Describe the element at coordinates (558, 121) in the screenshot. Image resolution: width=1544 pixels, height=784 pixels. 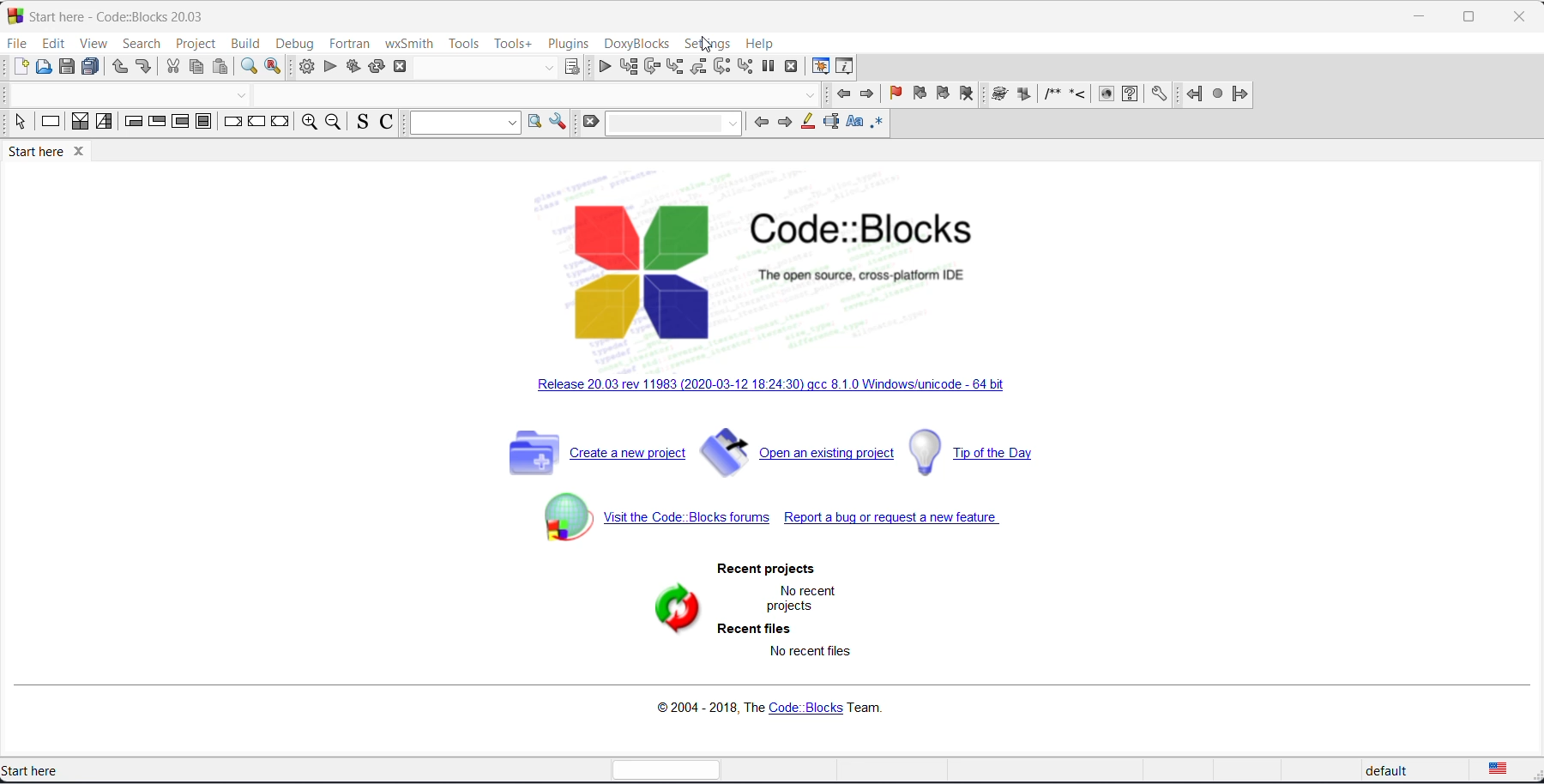
I see `settings` at that location.